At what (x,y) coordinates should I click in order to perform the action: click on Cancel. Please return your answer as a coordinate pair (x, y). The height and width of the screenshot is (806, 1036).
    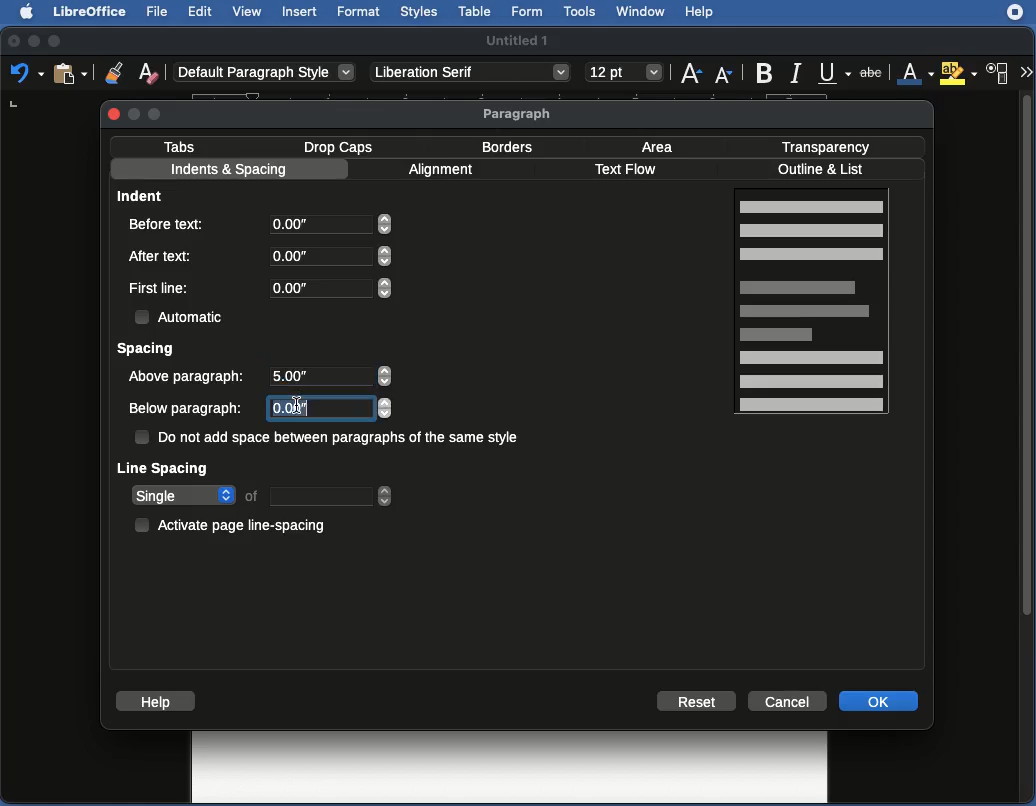
    Looking at the image, I should click on (789, 700).